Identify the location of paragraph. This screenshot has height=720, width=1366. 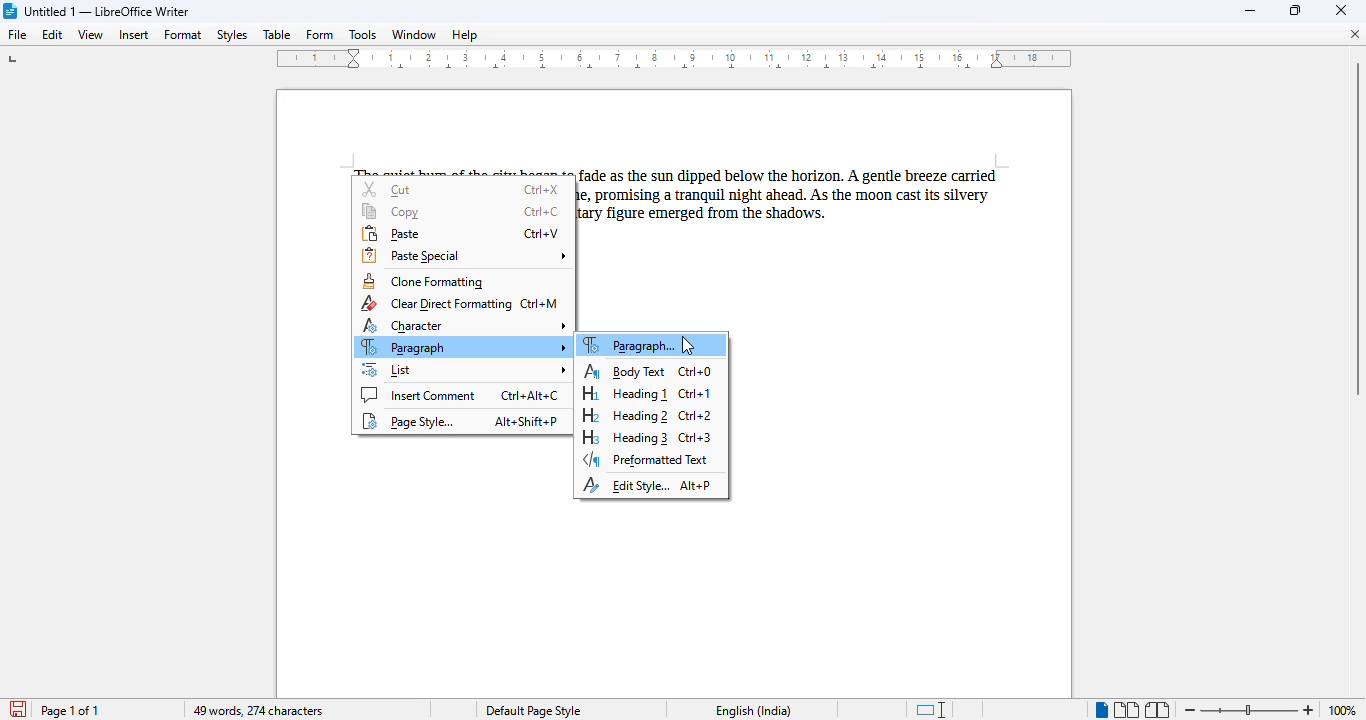
(645, 345).